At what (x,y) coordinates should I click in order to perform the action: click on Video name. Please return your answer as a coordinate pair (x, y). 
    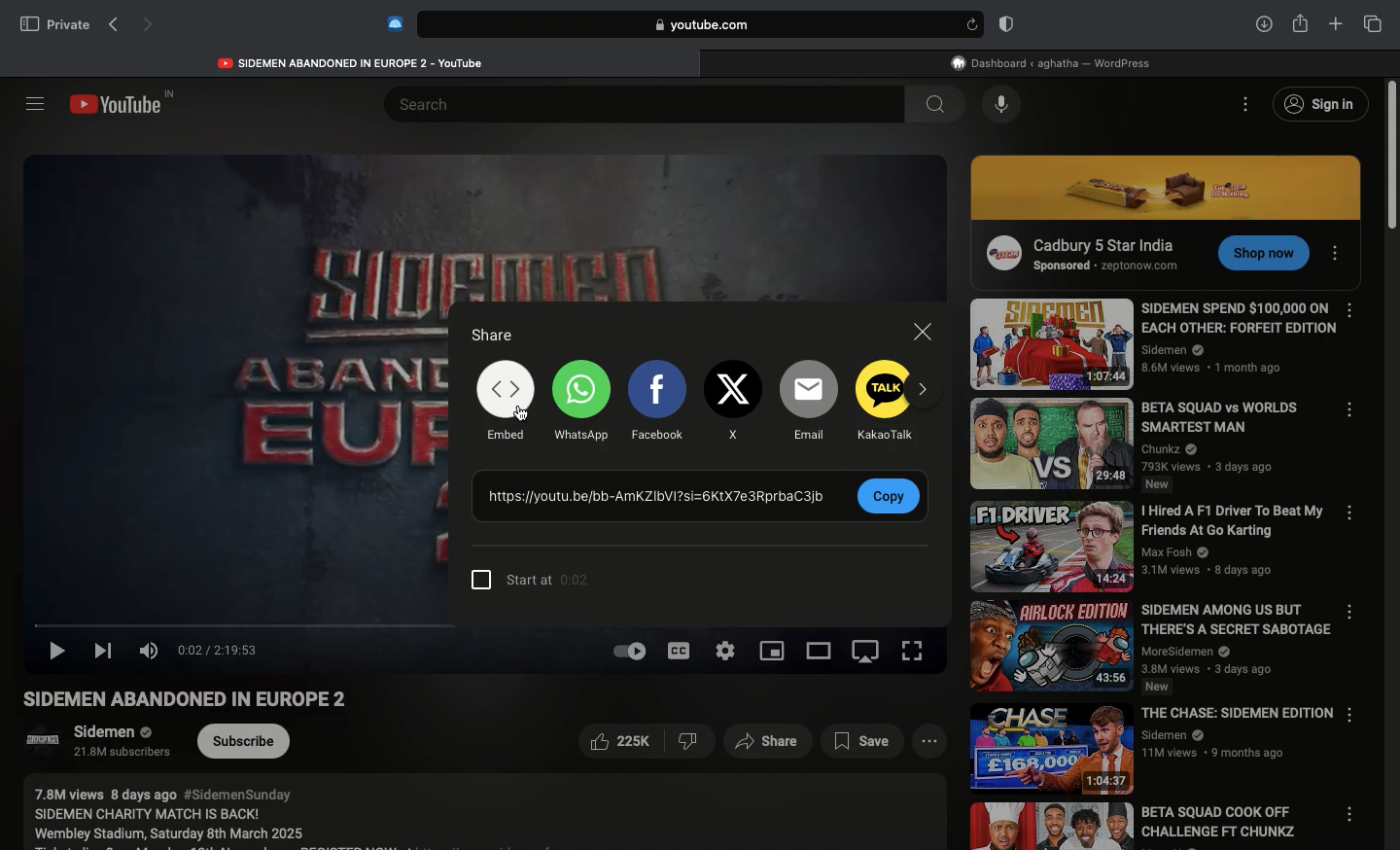
    Looking at the image, I should click on (1145, 545).